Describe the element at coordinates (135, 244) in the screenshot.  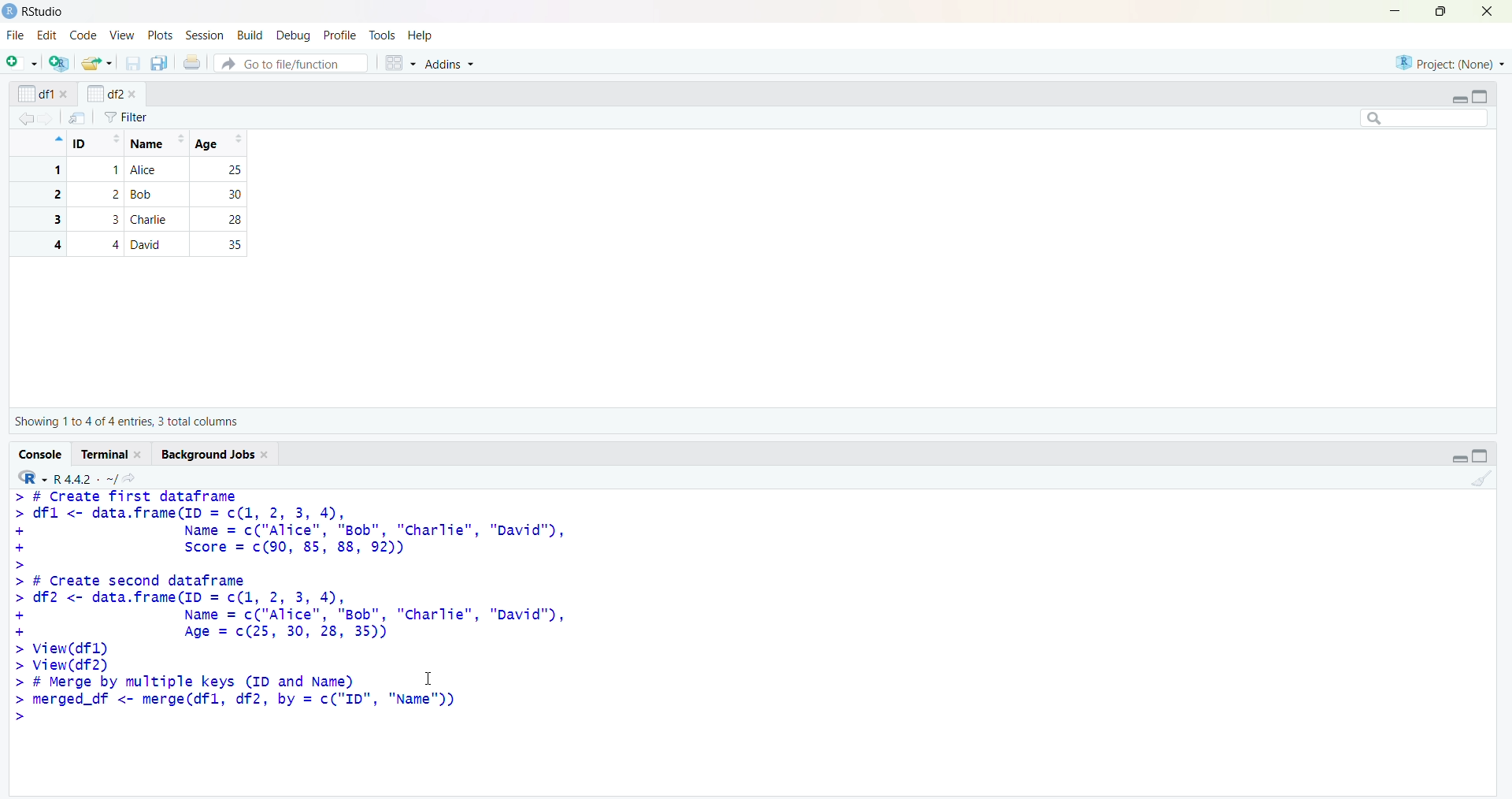
I see `4 4 David 35` at that location.